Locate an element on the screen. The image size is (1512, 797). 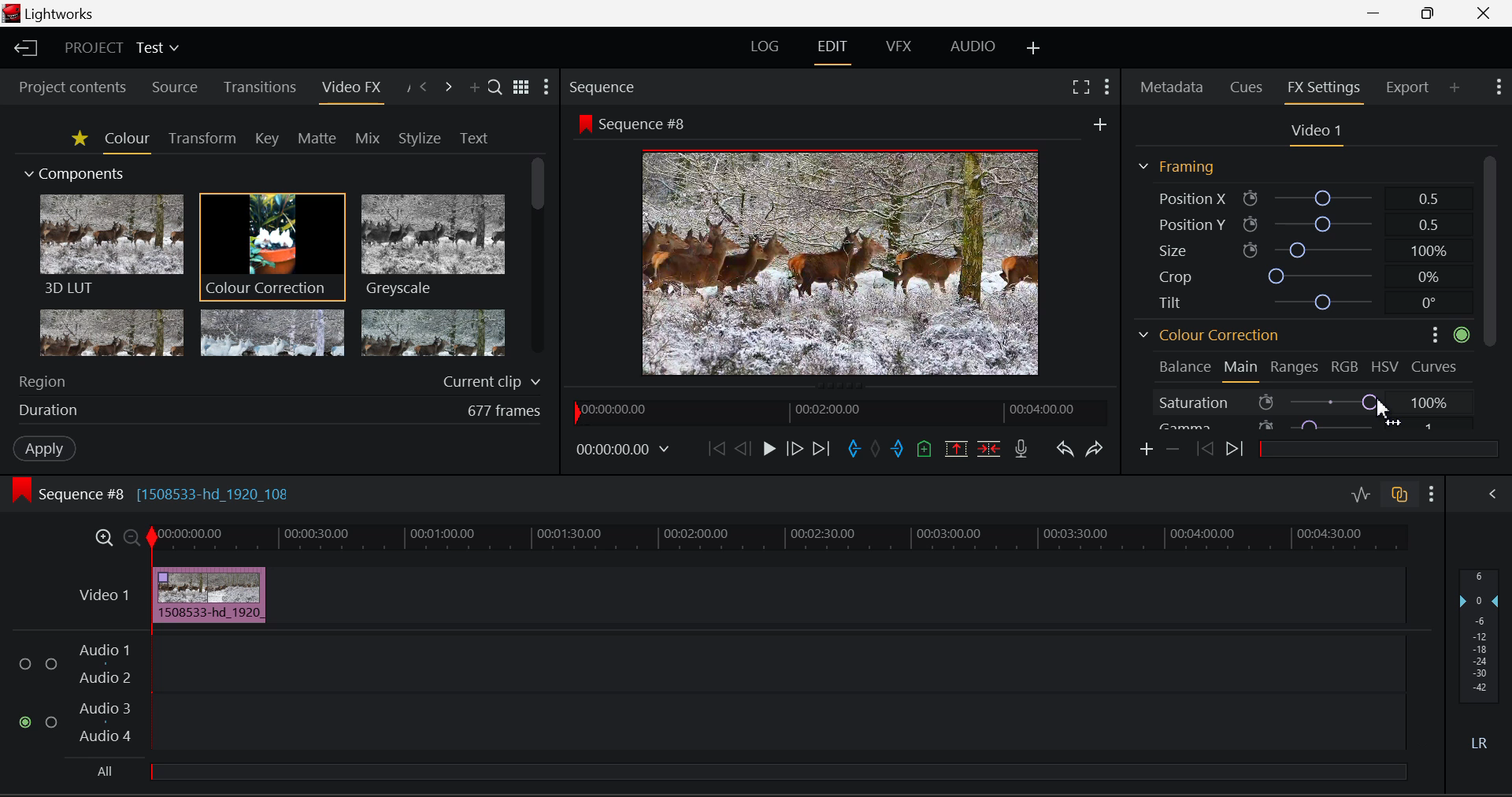
FX Settings Open is located at coordinates (1323, 89).